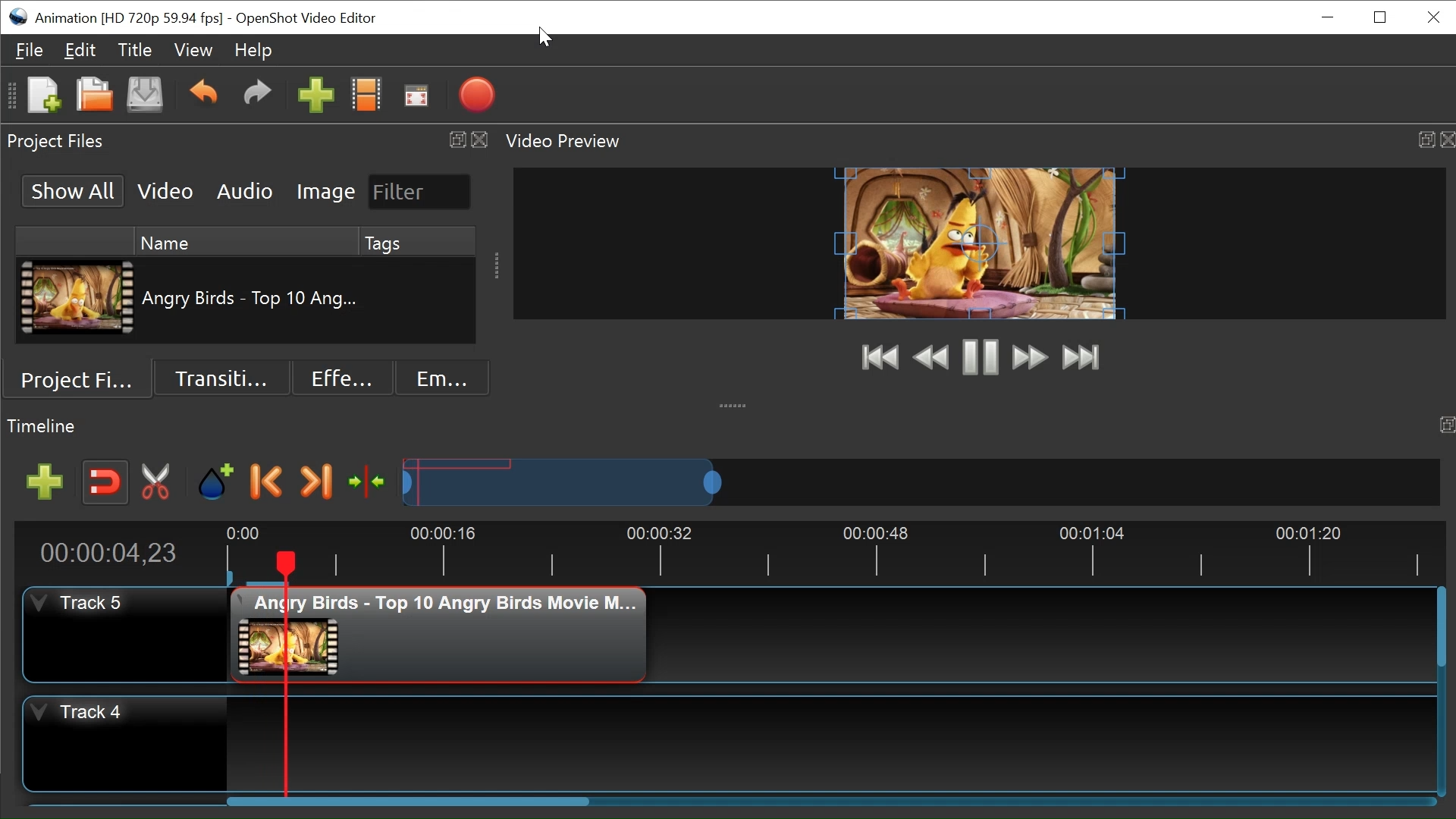  I want to click on Horizontal Scroll bar, so click(1442, 626).